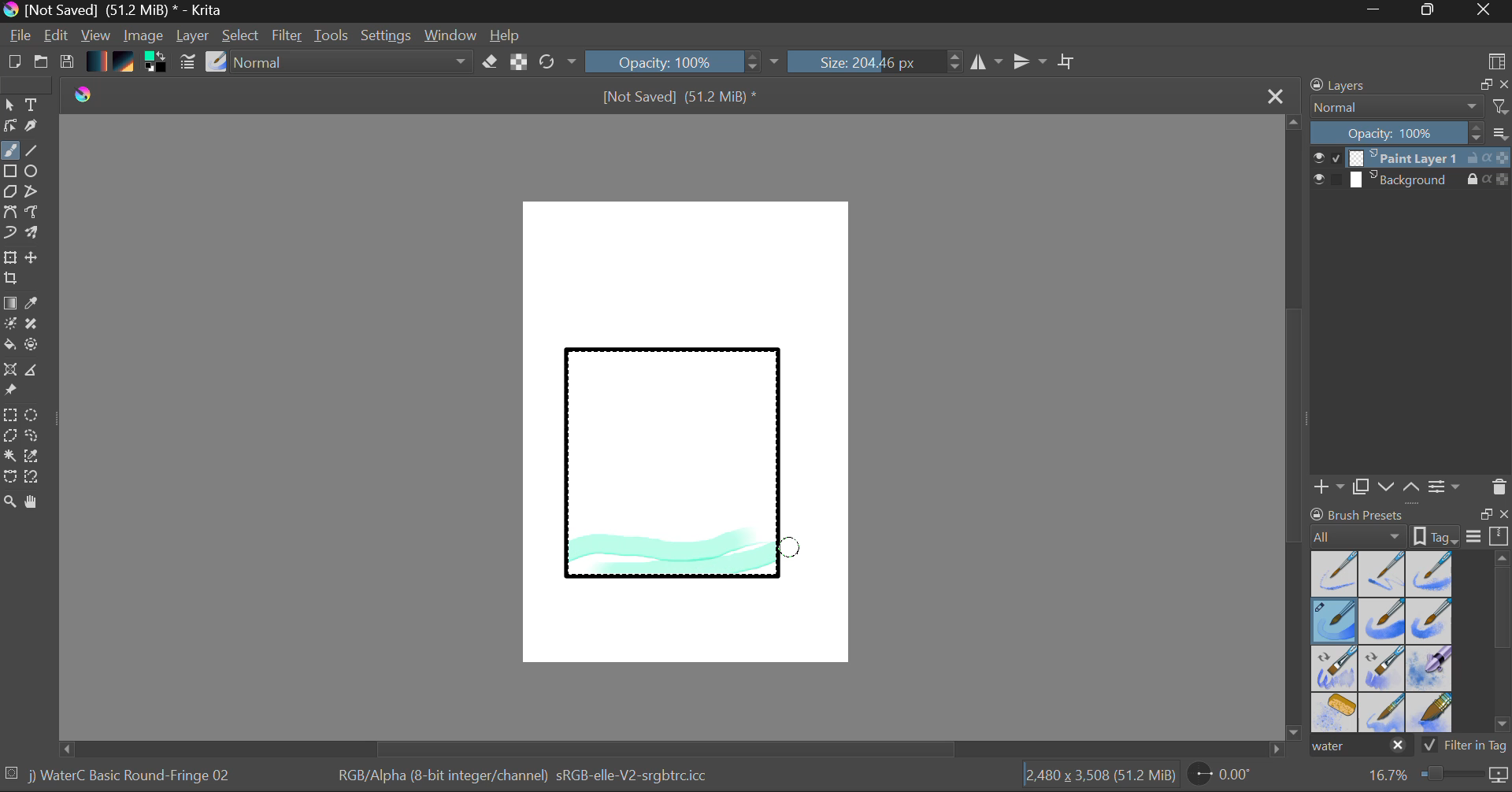  I want to click on Window Title, so click(115, 11).